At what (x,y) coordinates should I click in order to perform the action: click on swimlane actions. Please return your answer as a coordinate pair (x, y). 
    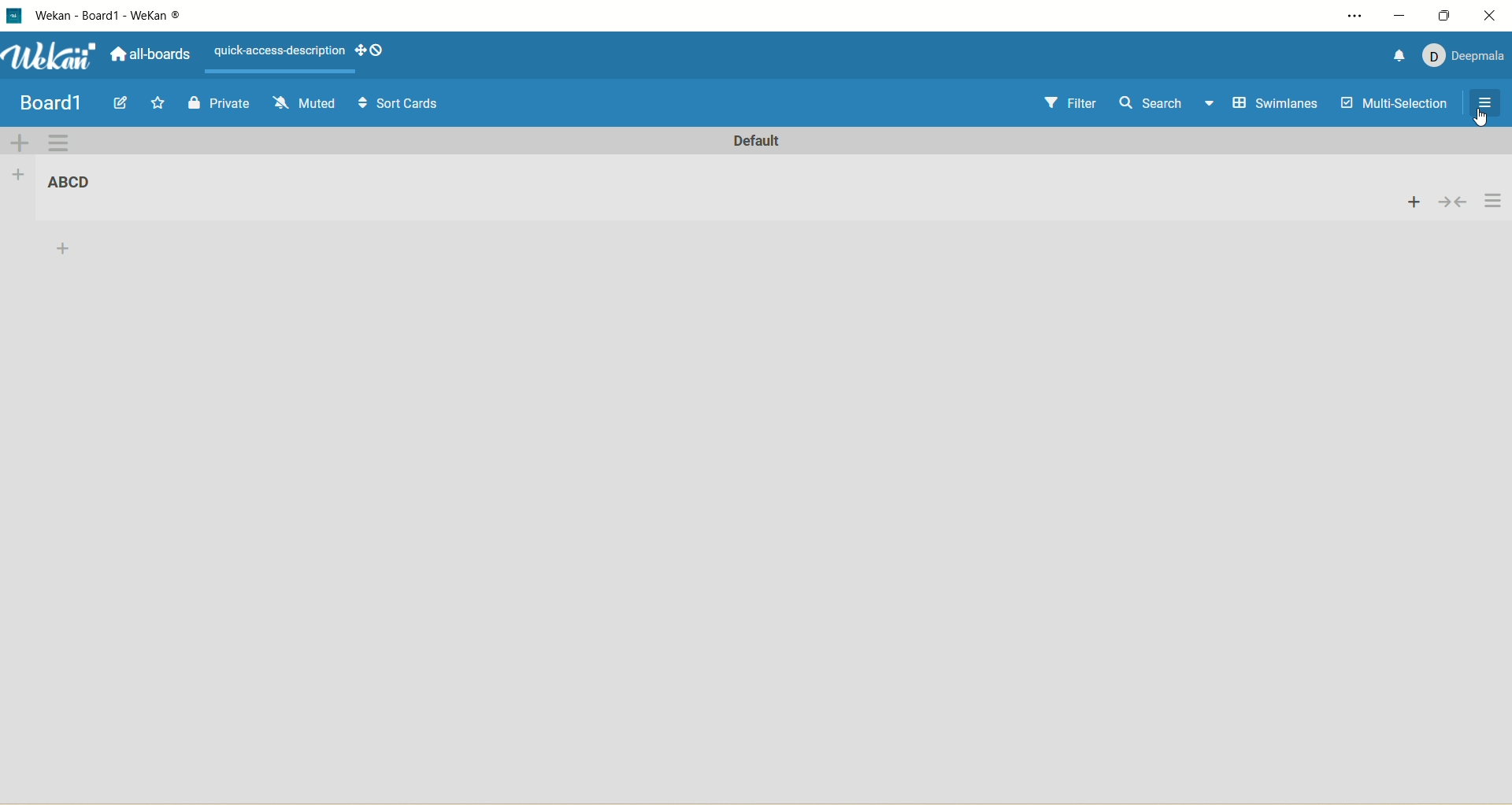
    Looking at the image, I should click on (59, 144).